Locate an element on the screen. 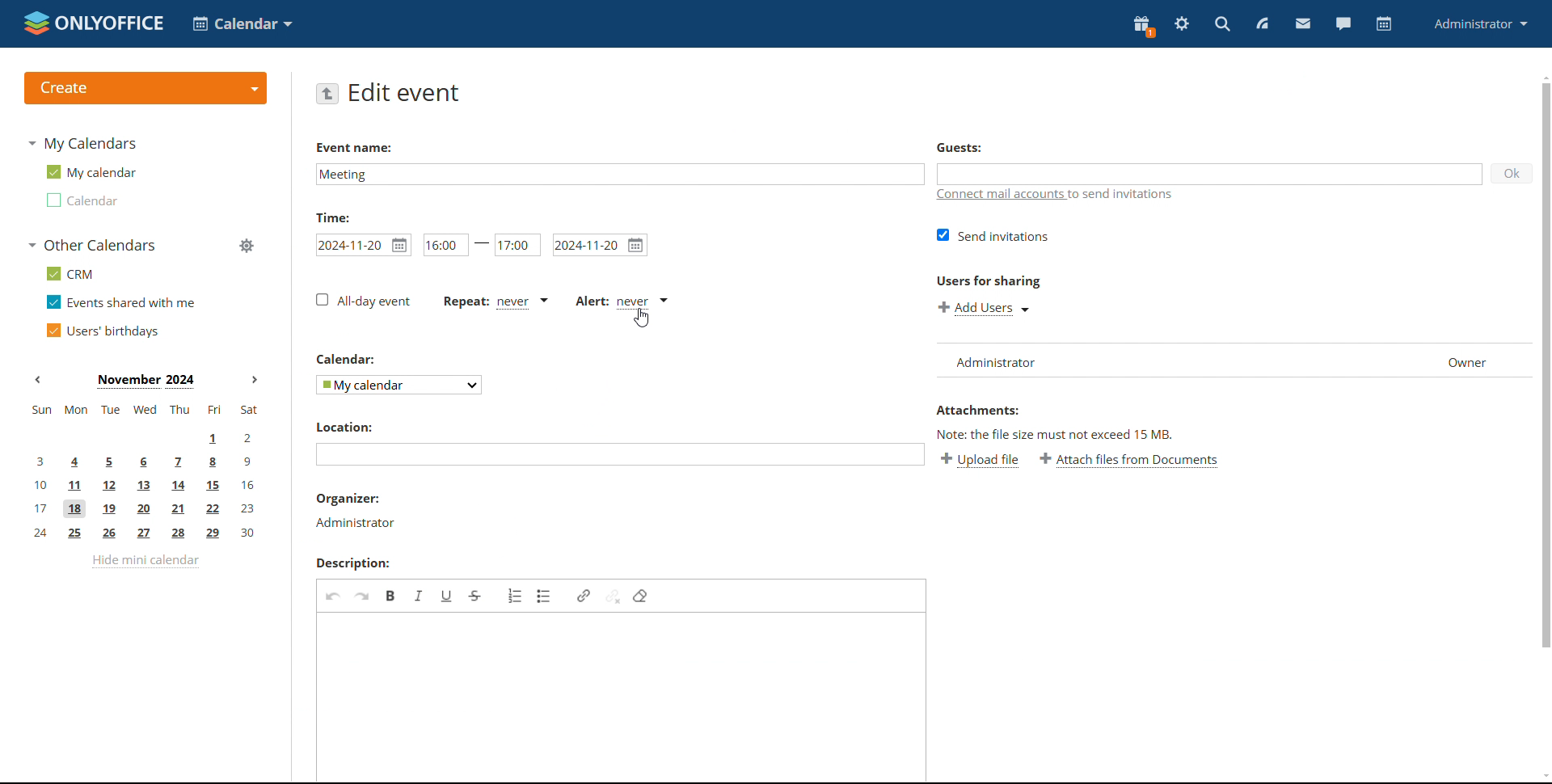 The image size is (1552, 784). present is located at coordinates (1144, 25).